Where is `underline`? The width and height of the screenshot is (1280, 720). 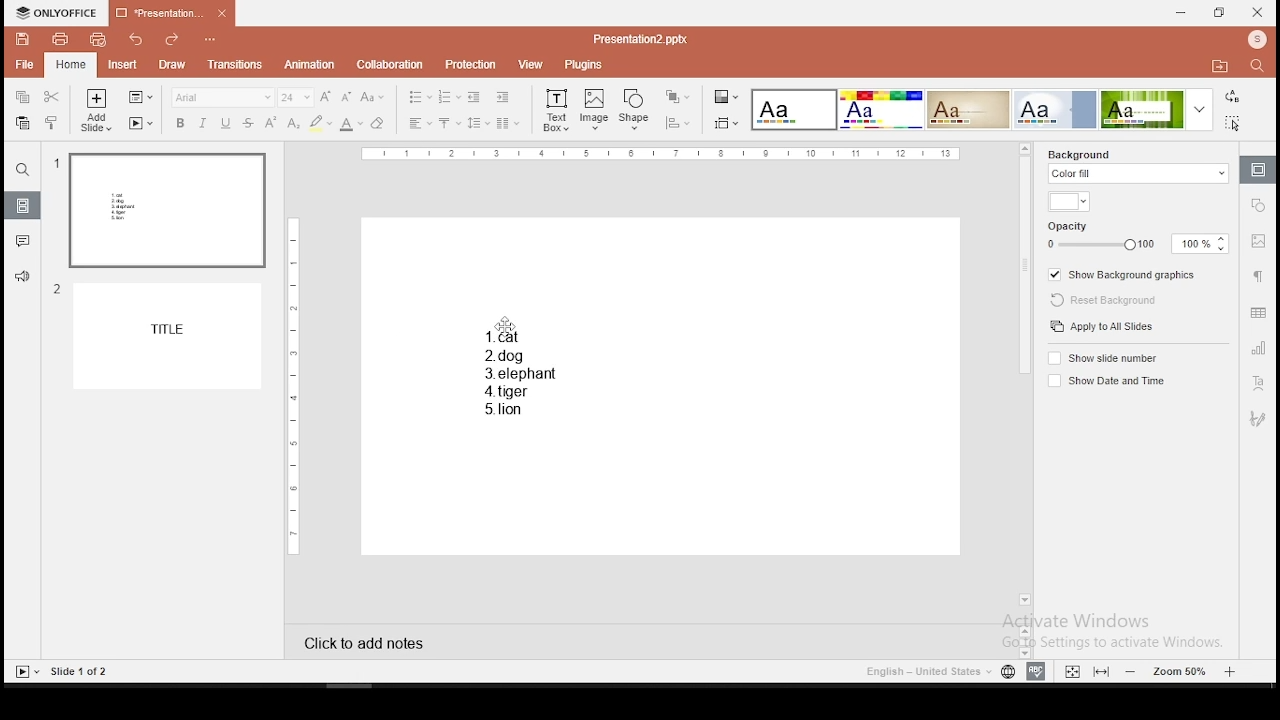 underline is located at coordinates (225, 123).